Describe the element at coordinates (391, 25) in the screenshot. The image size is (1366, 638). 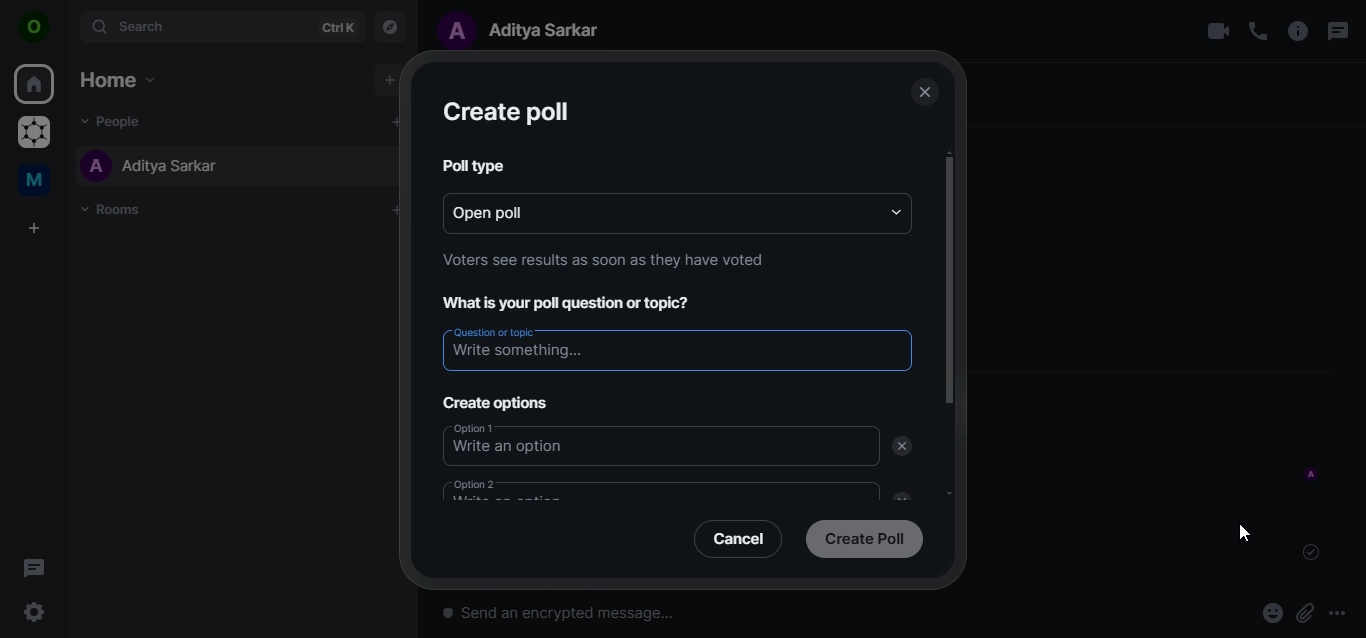
I see `explore rooms` at that location.